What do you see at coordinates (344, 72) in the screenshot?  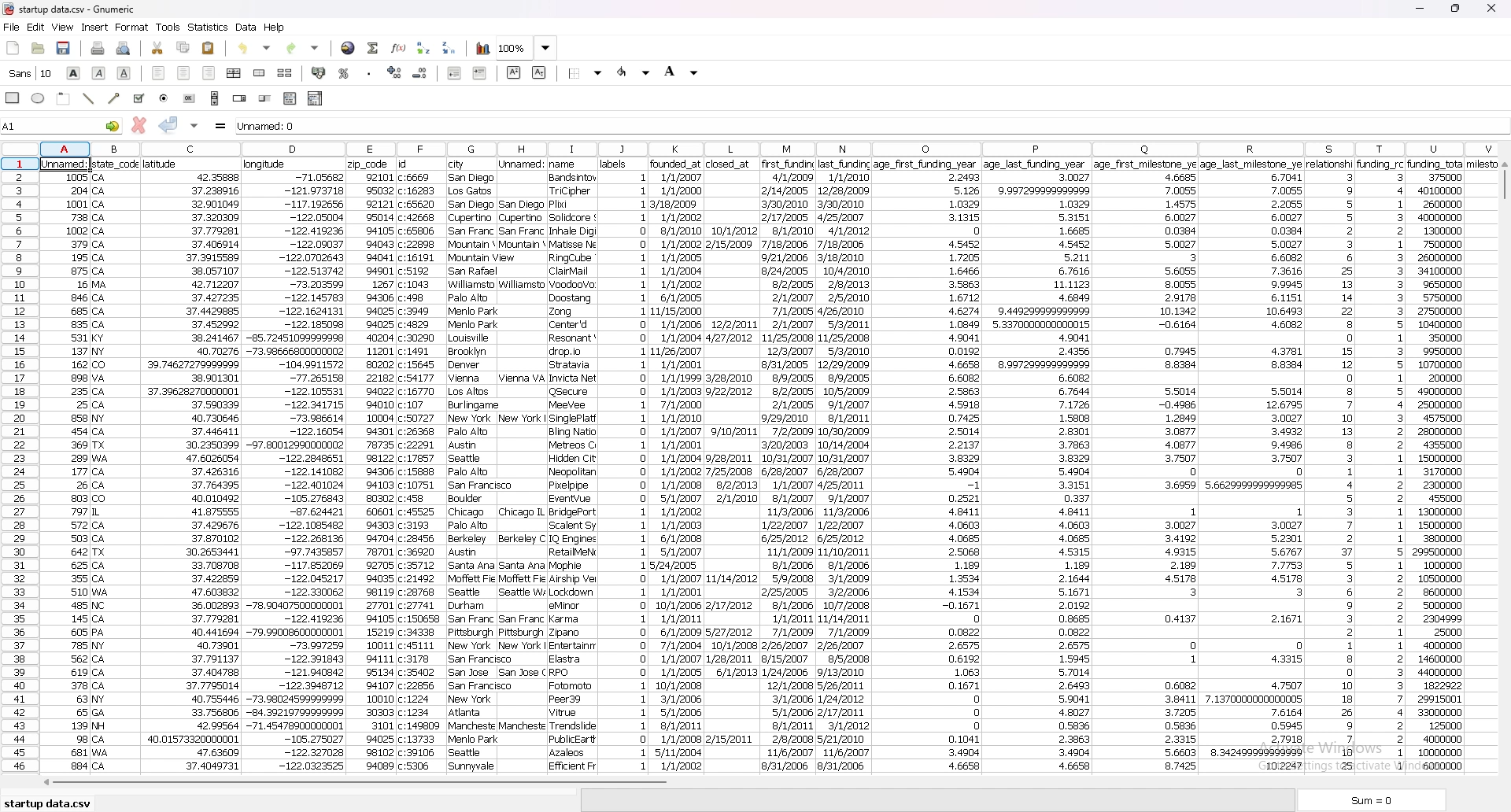 I see `percentage` at bounding box center [344, 72].